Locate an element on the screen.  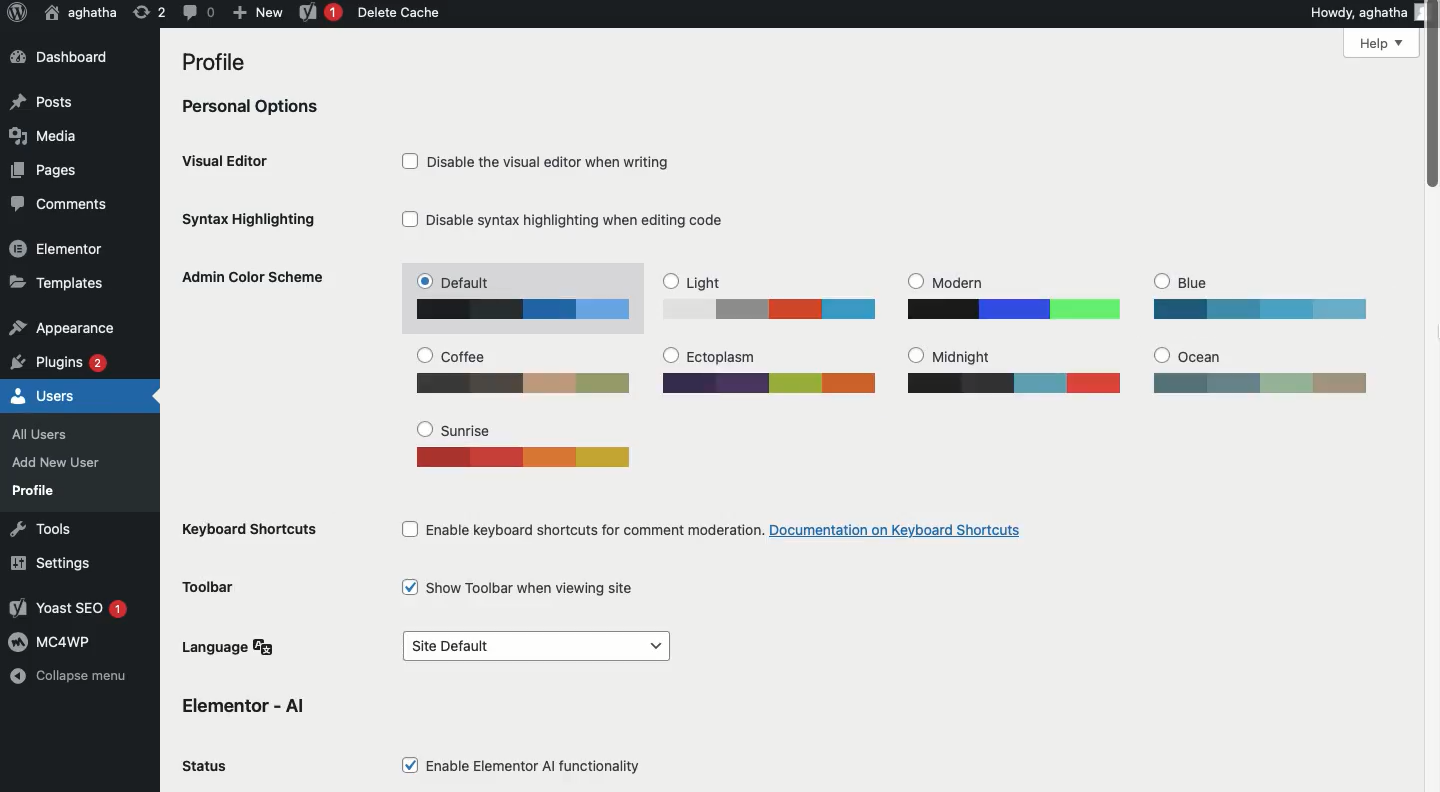
MC4WP is located at coordinates (54, 640).